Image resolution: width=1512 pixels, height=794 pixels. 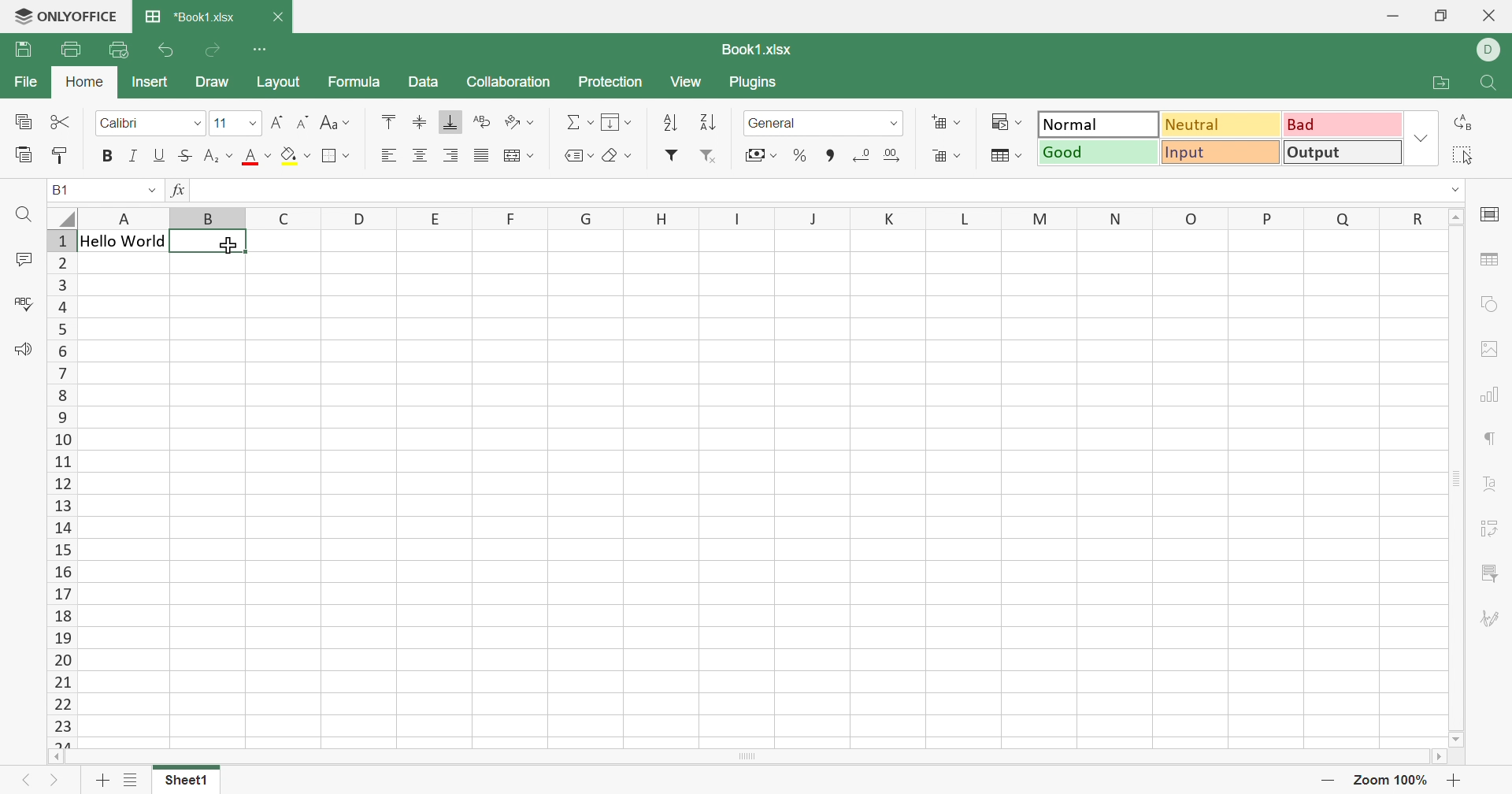 What do you see at coordinates (801, 154) in the screenshot?
I see `Percent style` at bounding box center [801, 154].